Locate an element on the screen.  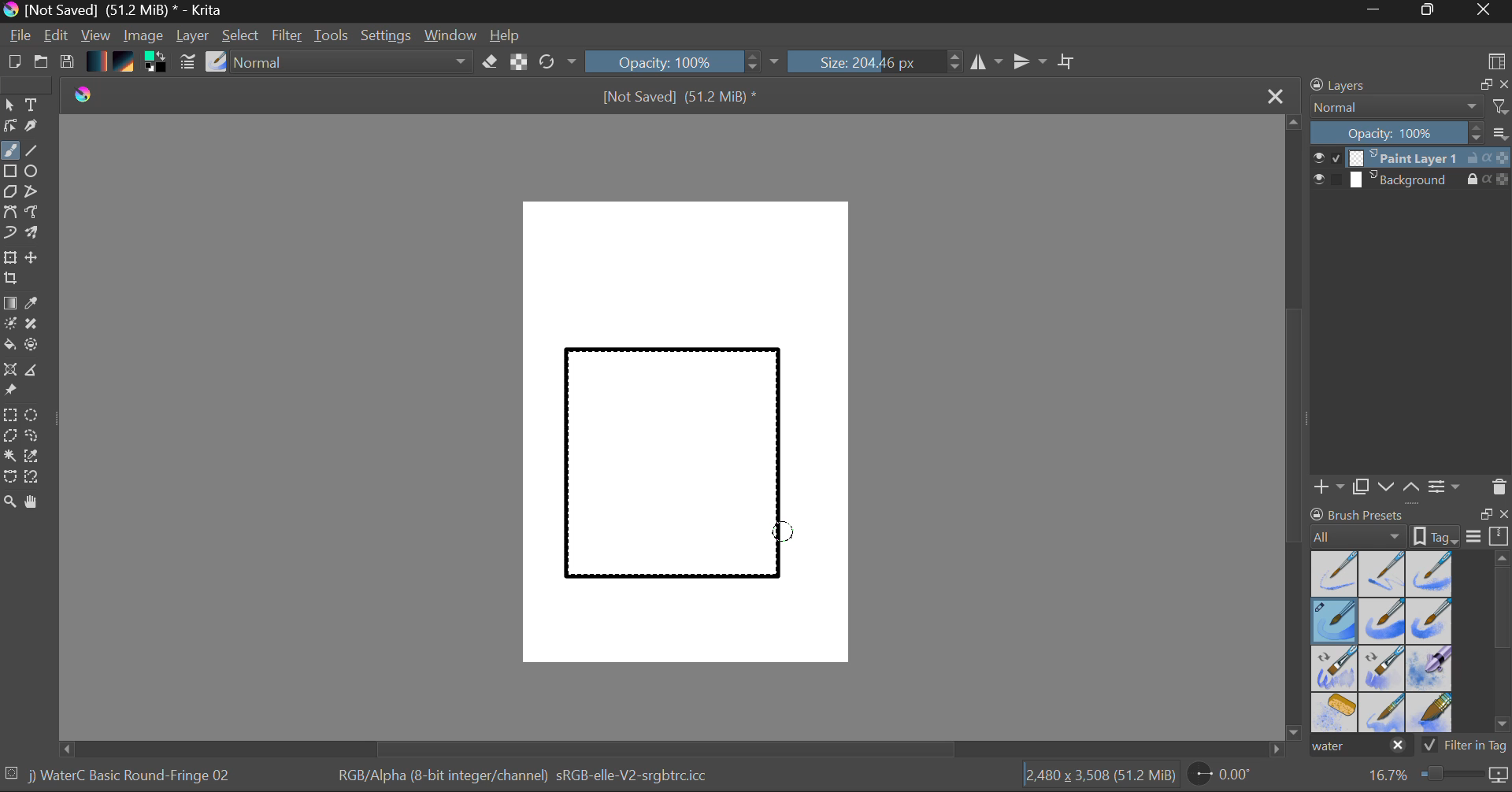
Lock Alpha is located at coordinates (517, 63).